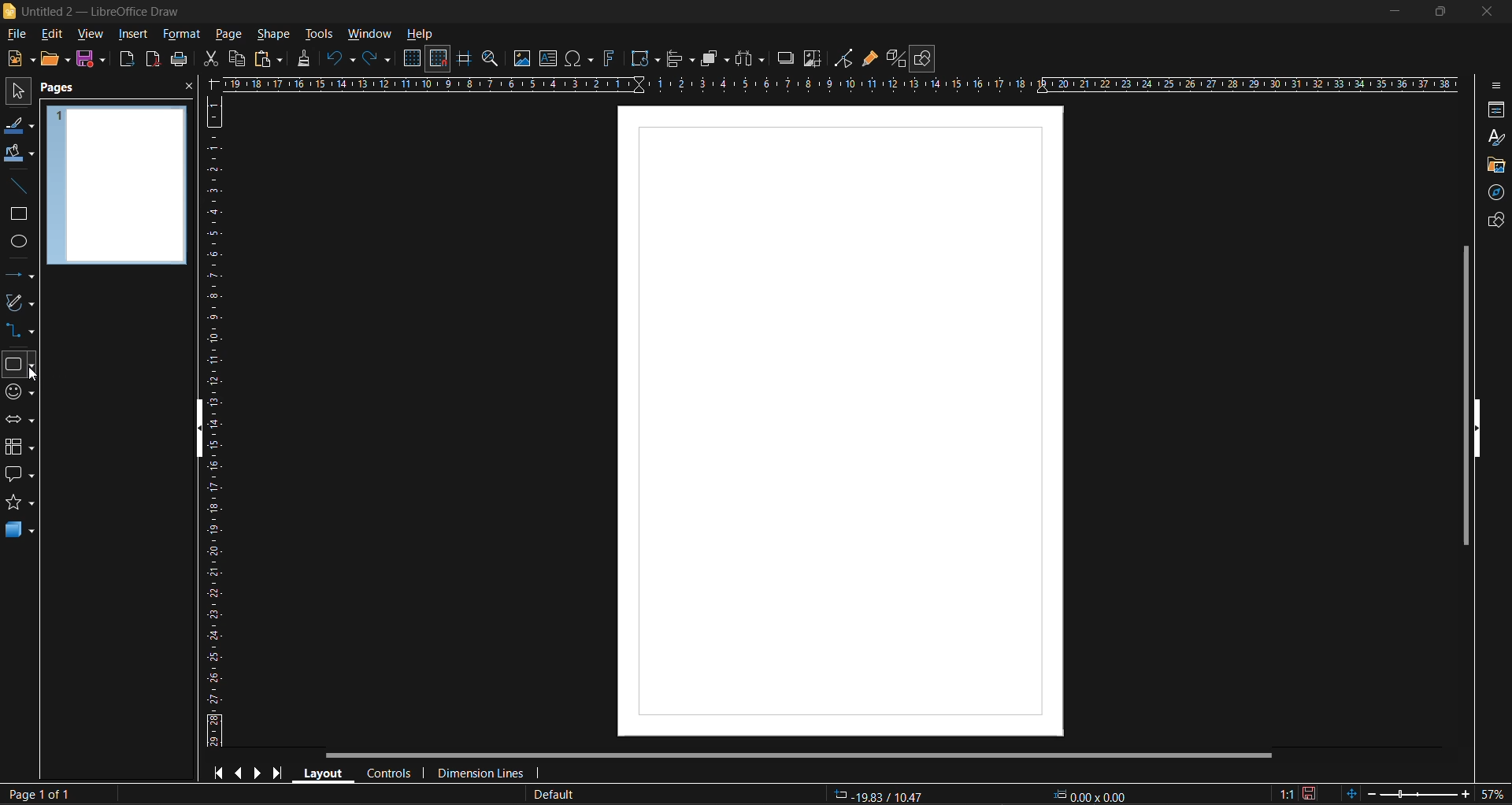 This screenshot has width=1512, height=805. What do you see at coordinates (60, 89) in the screenshot?
I see `pages` at bounding box center [60, 89].